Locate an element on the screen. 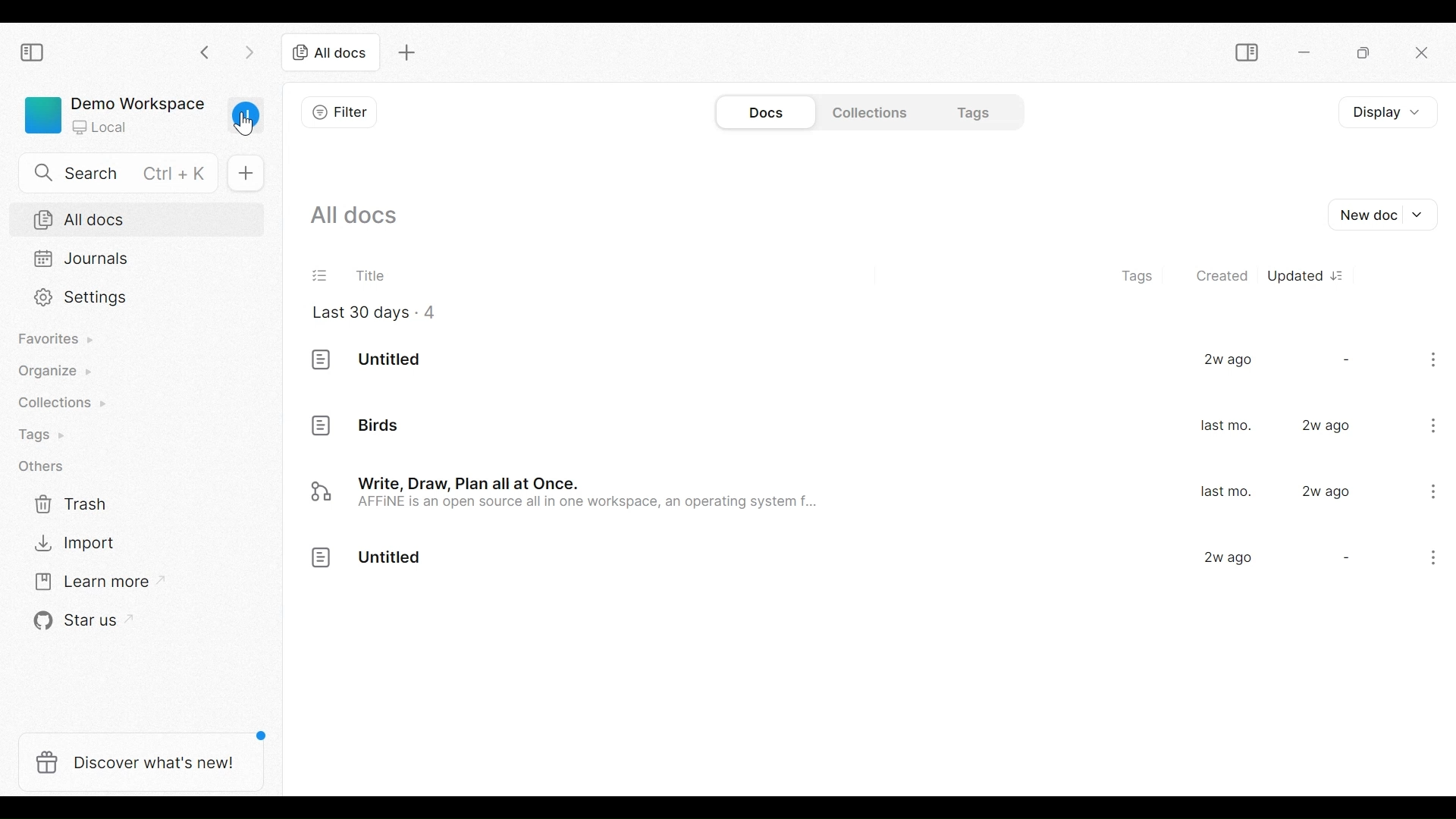 Image resolution: width=1456 pixels, height=819 pixels. minimize is located at coordinates (1307, 52).